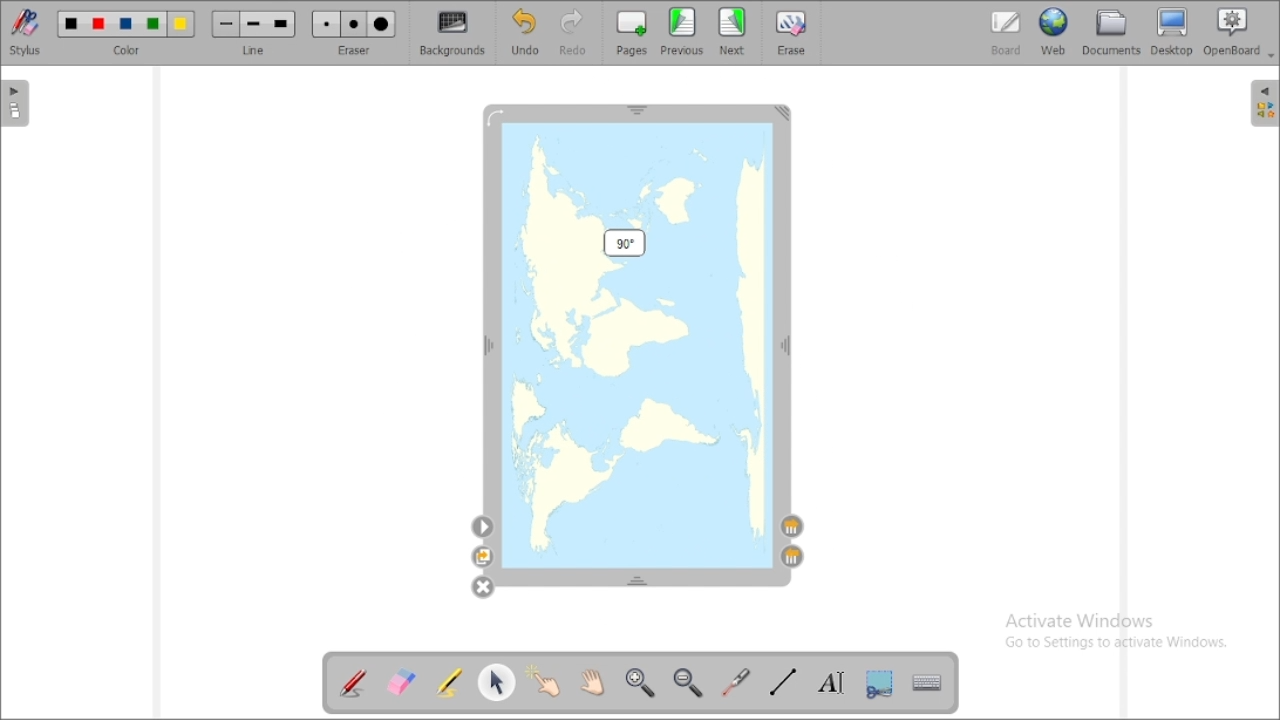 This screenshot has width=1280, height=720. What do you see at coordinates (737, 683) in the screenshot?
I see `virtual laser pointer` at bounding box center [737, 683].